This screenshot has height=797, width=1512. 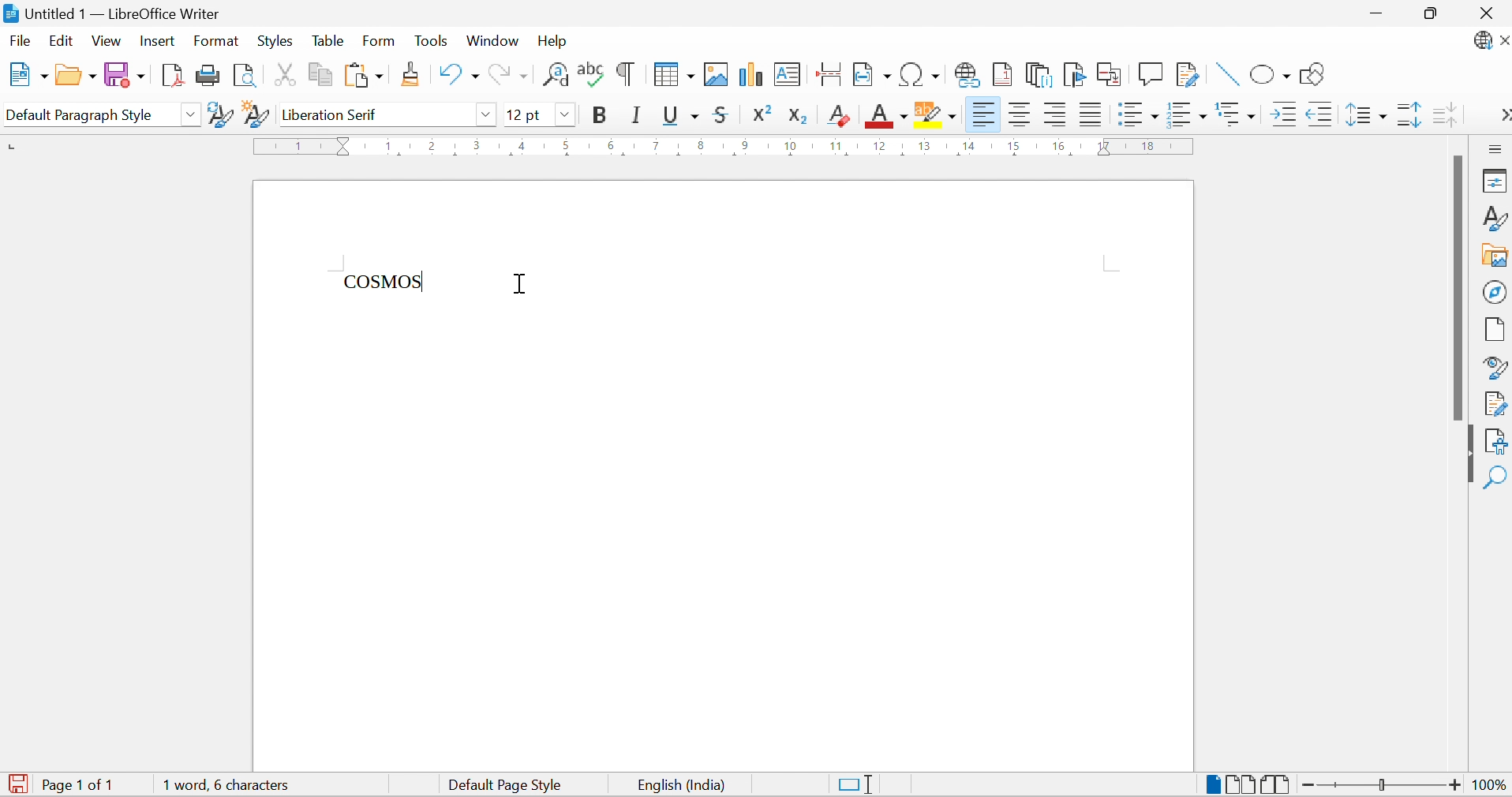 What do you see at coordinates (654, 146) in the screenshot?
I see `7` at bounding box center [654, 146].